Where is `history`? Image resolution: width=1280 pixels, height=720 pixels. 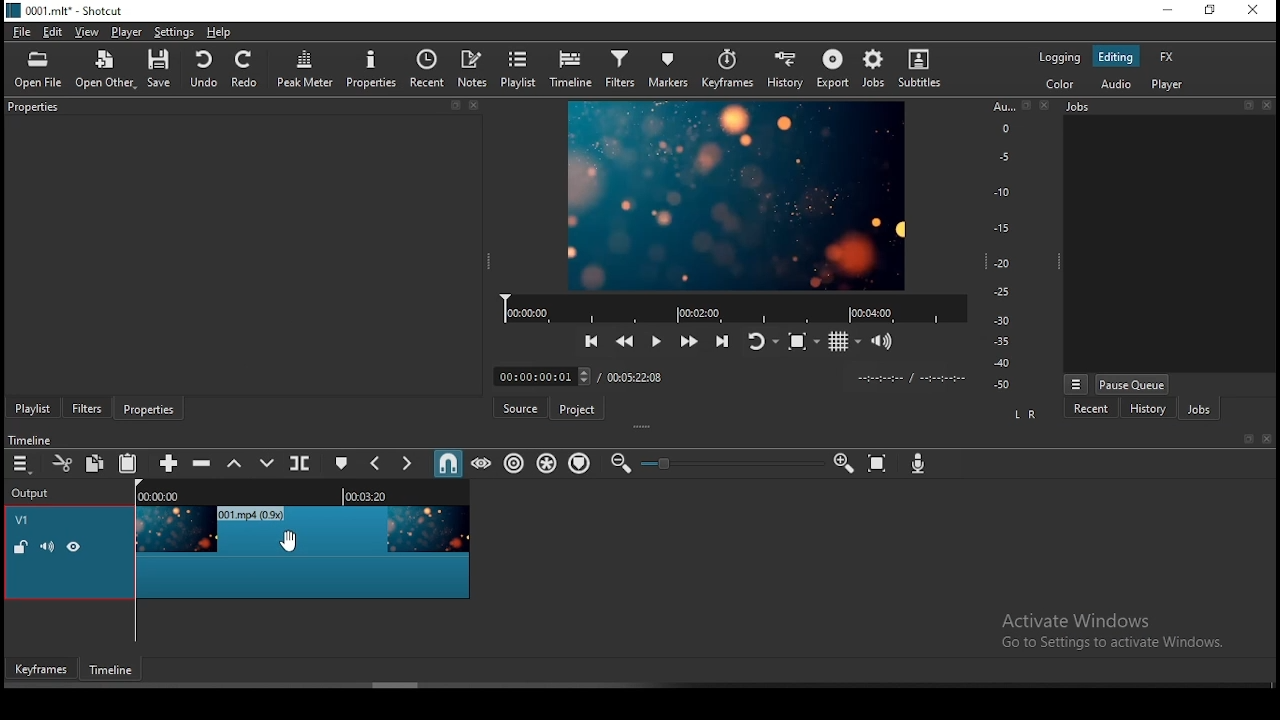 history is located at coordinates (1148, 409).